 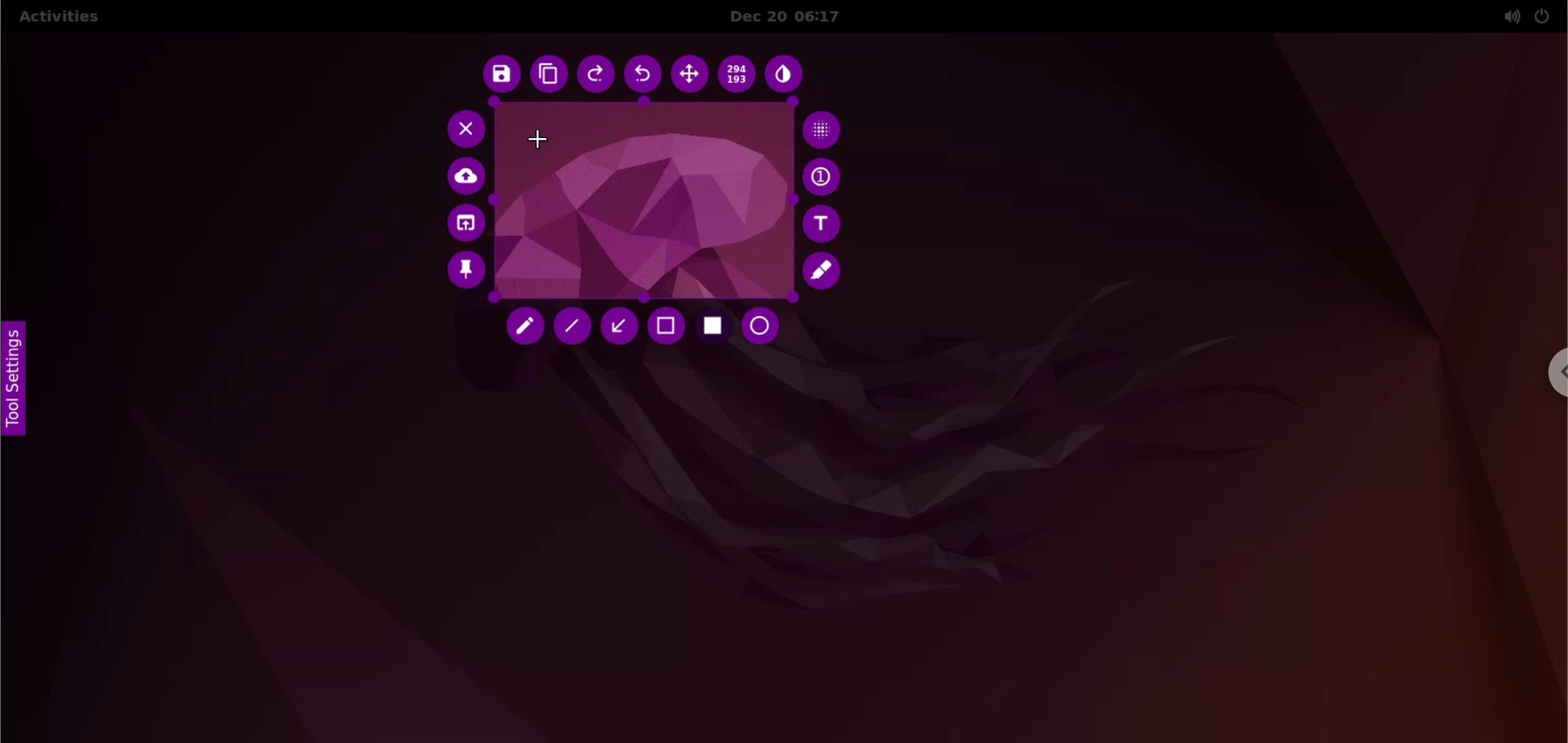 I want to click on copy to clipboard, so click(x=548, y=75).